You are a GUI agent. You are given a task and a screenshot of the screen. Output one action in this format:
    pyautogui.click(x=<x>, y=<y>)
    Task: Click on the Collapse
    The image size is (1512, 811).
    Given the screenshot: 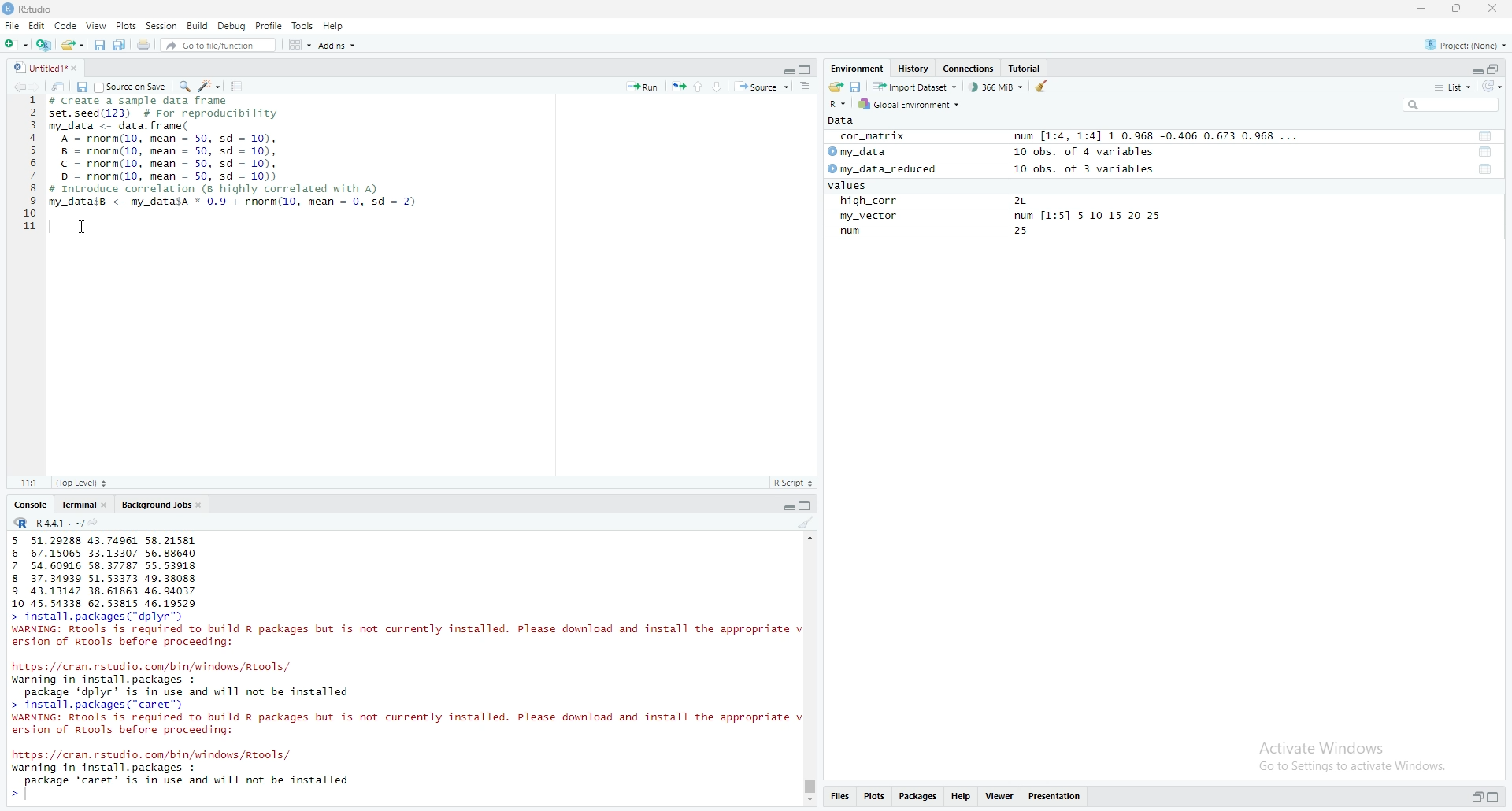 What is the action you would take?
    pyautogui.click(x=1473, y=70)
    